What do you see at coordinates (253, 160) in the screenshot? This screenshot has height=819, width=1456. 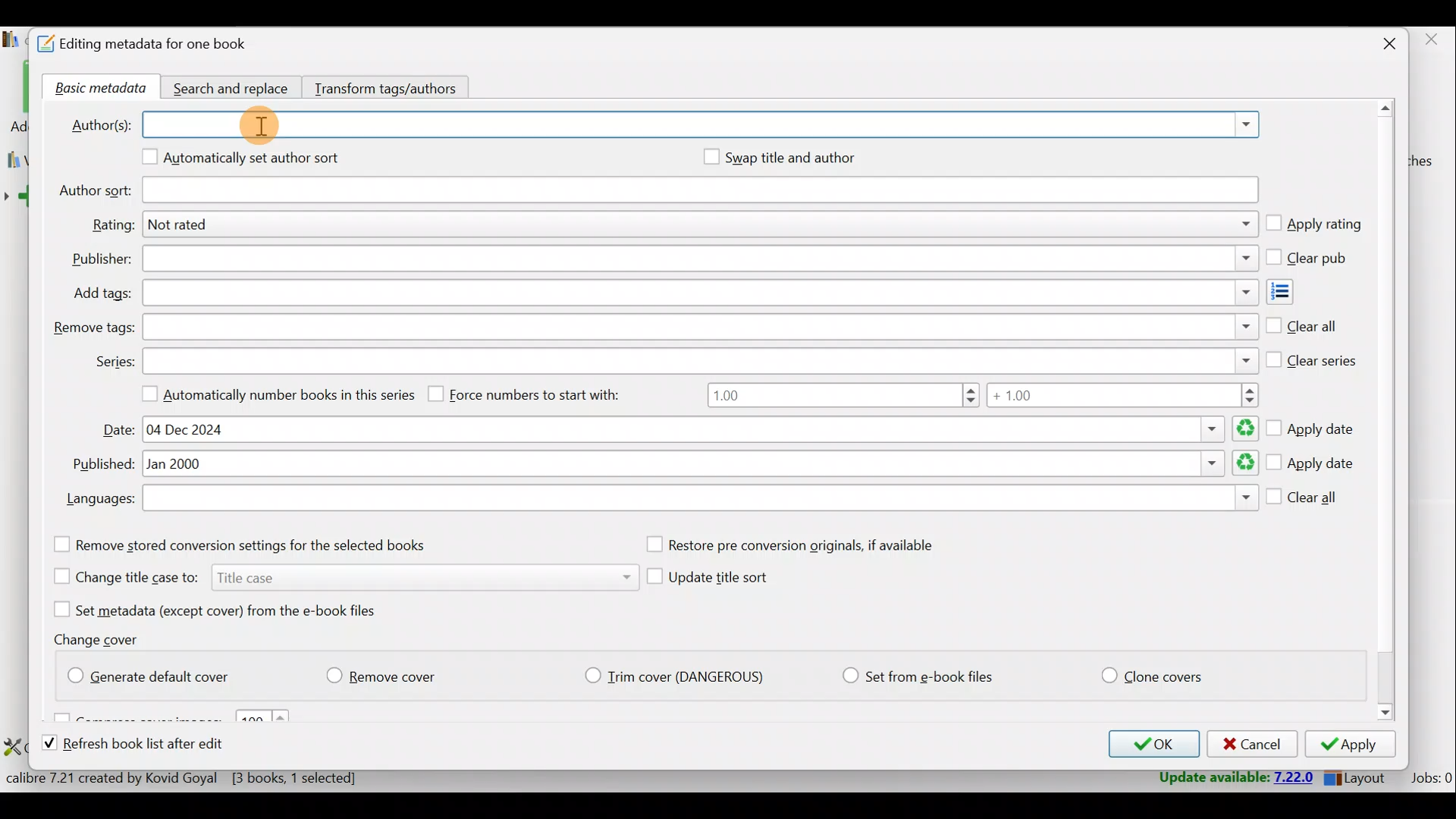 I see `Automatically set author sort` at bounding box center [253, 160].